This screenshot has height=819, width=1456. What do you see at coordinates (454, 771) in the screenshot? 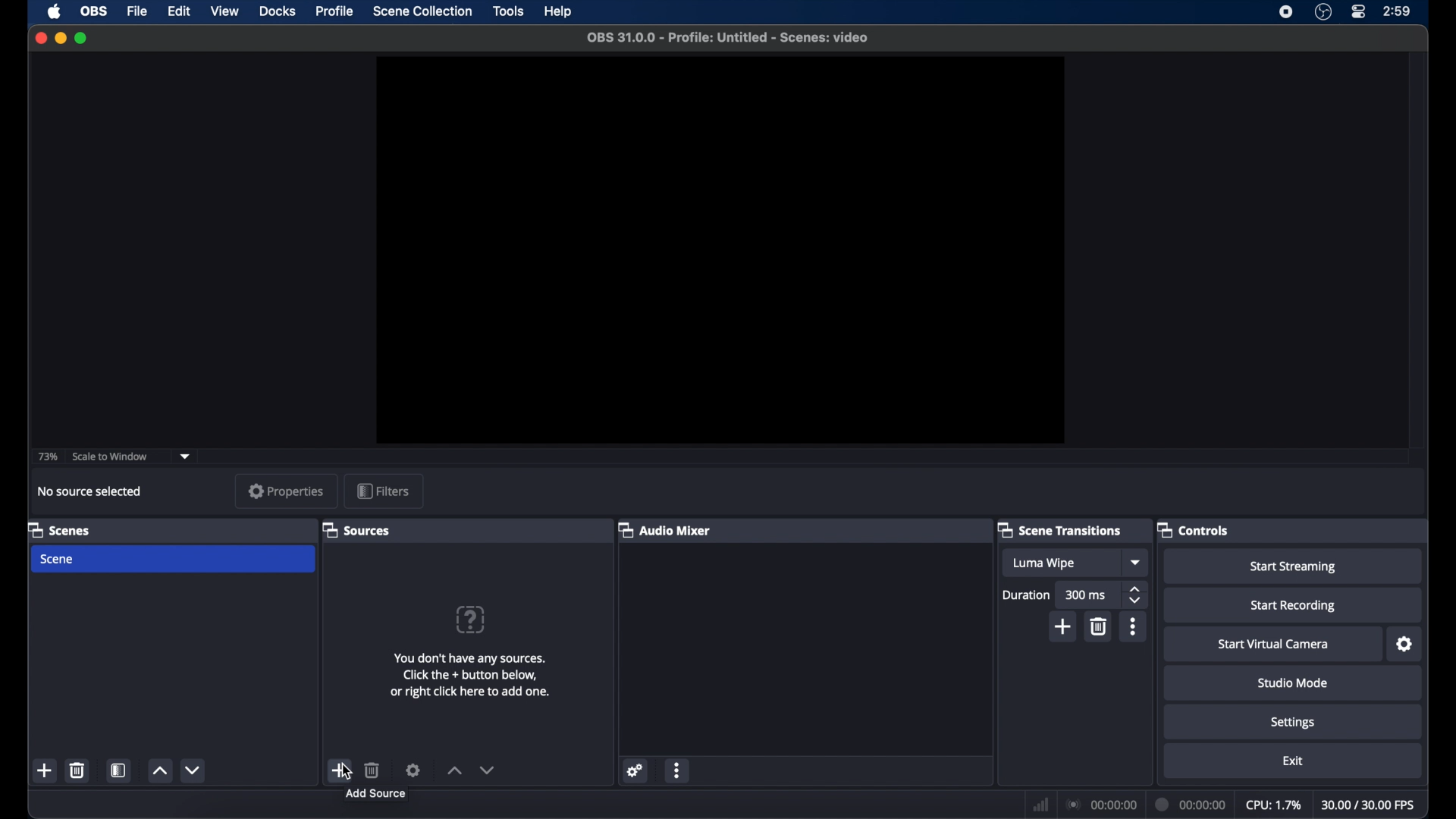
I see `increment` at bounding box center [454, 771].